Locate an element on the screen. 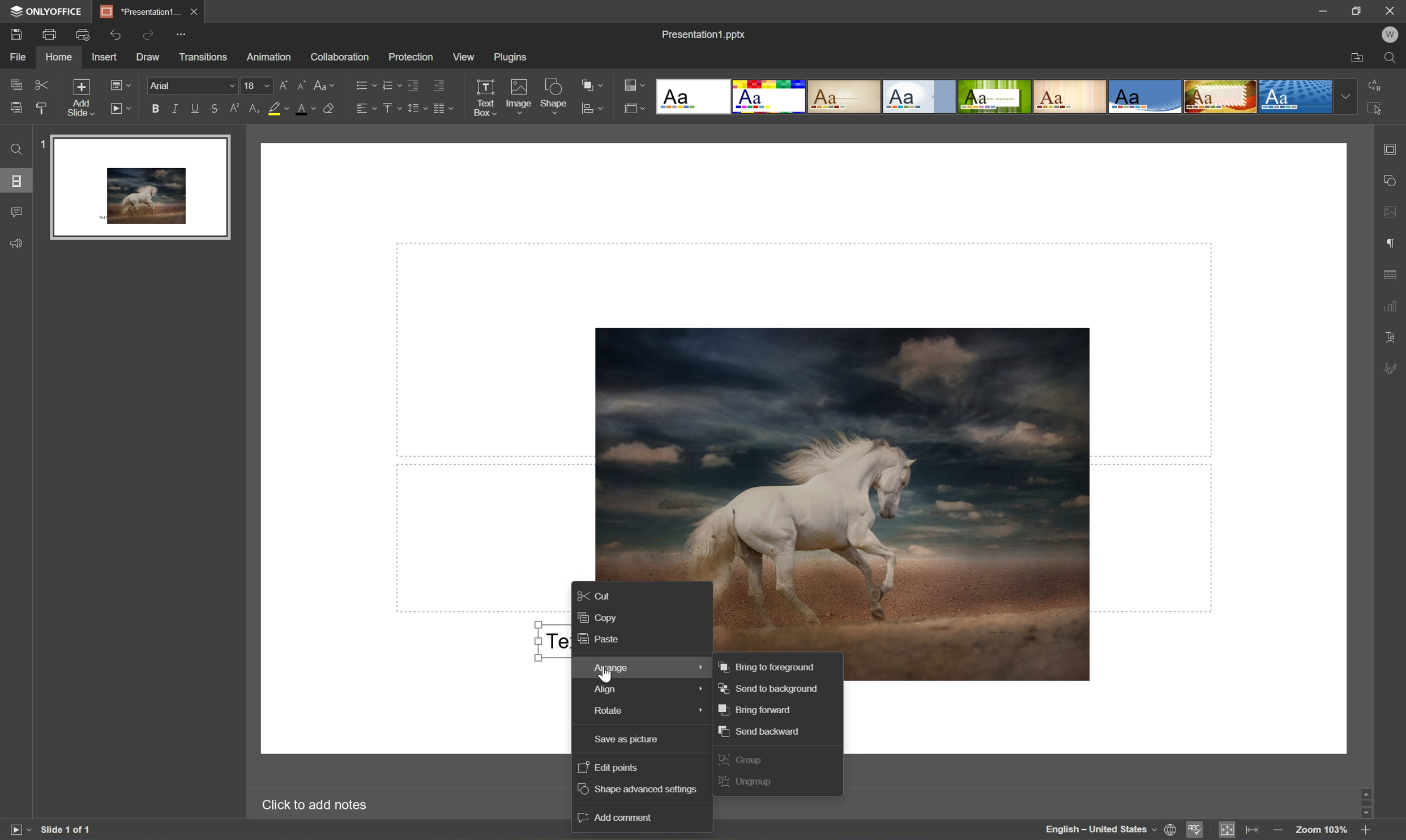  View is located at coordinates (465, 57).